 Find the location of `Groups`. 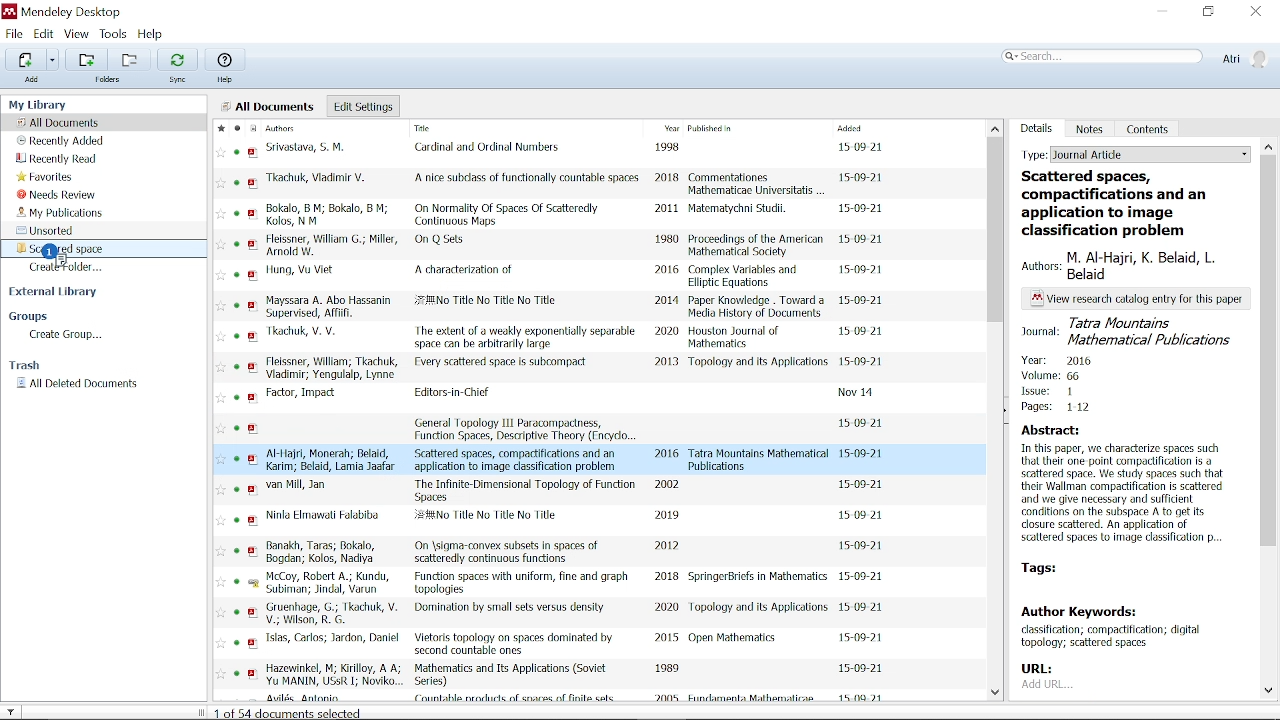

Groups is located at coordinates (30, 317).